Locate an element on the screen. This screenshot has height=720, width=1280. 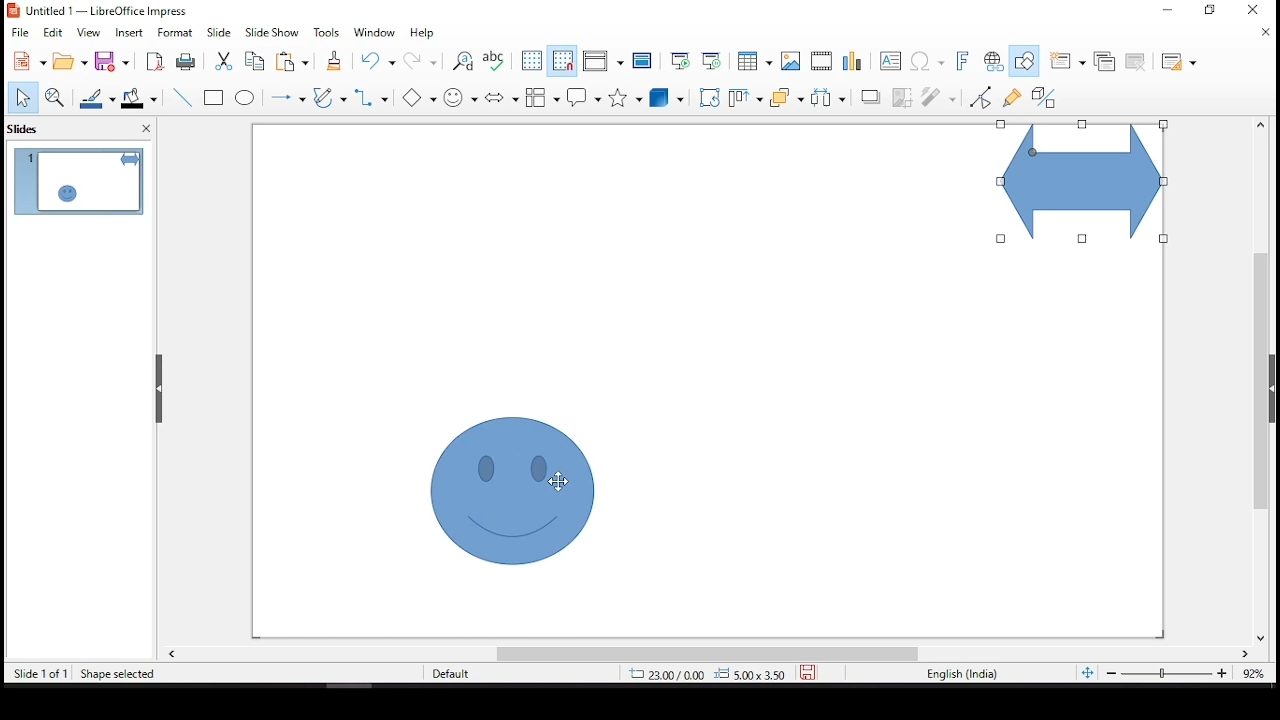
insert hyperlink is located at coordinates (993, 62).